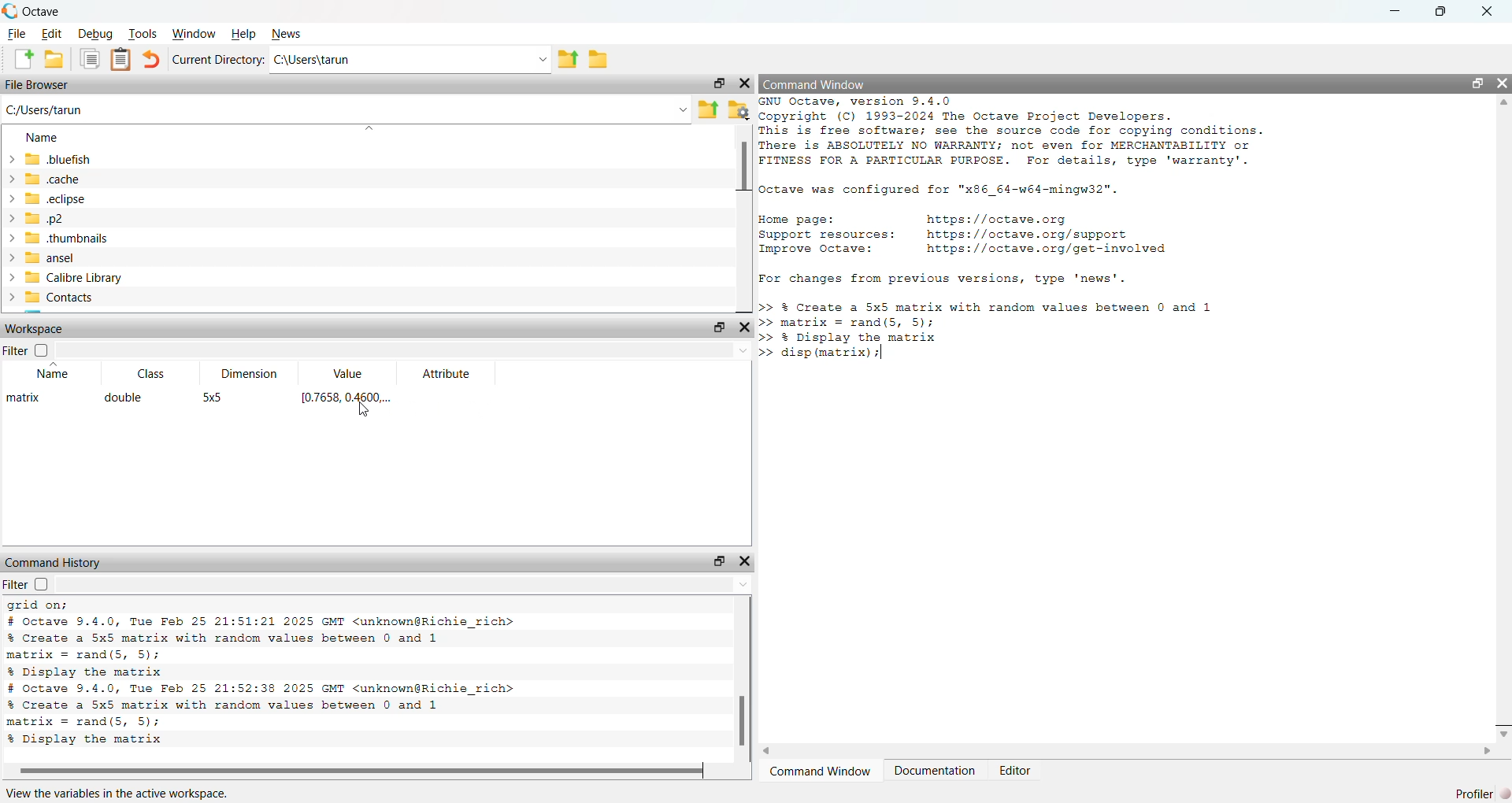  What do you see at coordinates (713, 329) in the screenshot?
I see `maximise` at bounding box center [713, 329].